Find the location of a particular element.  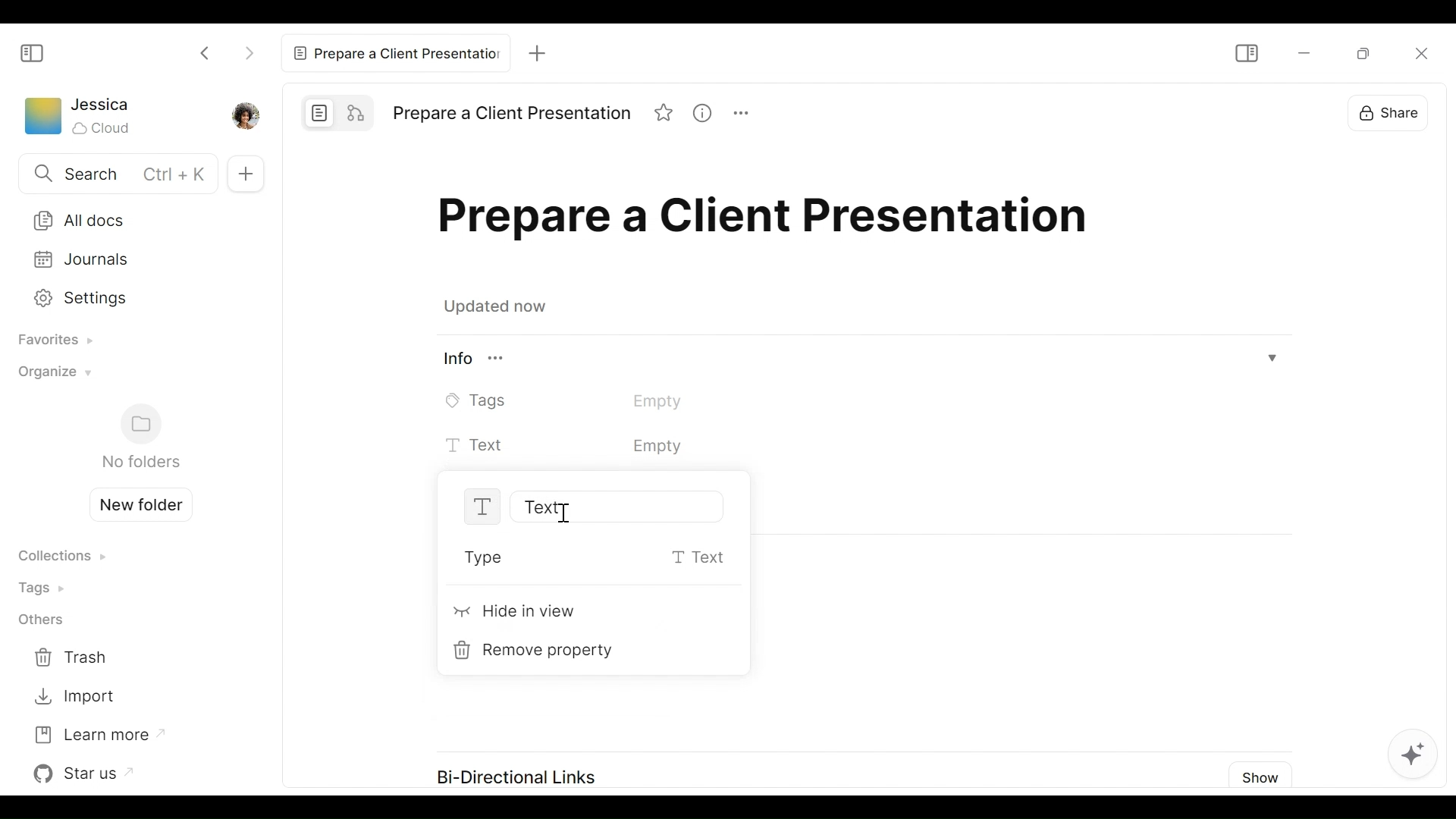

Text is located at coordinates (606, 447).